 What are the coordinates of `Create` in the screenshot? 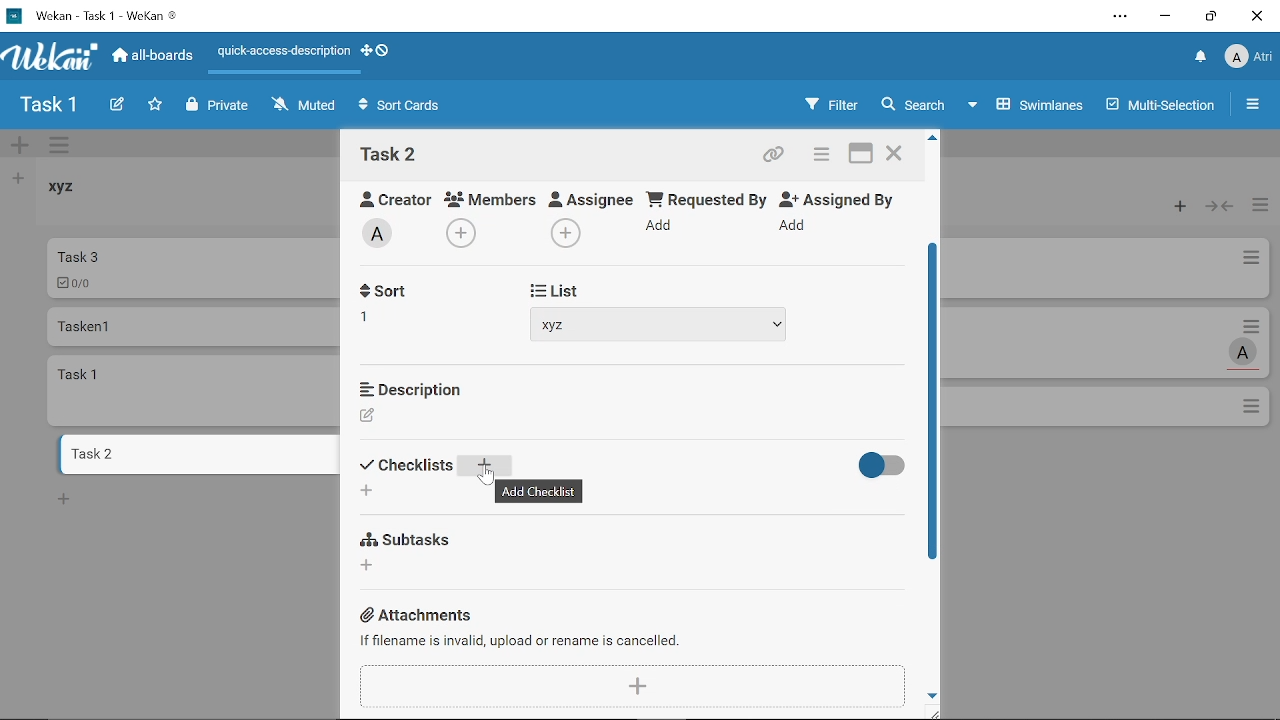 It's located at (116, 106).